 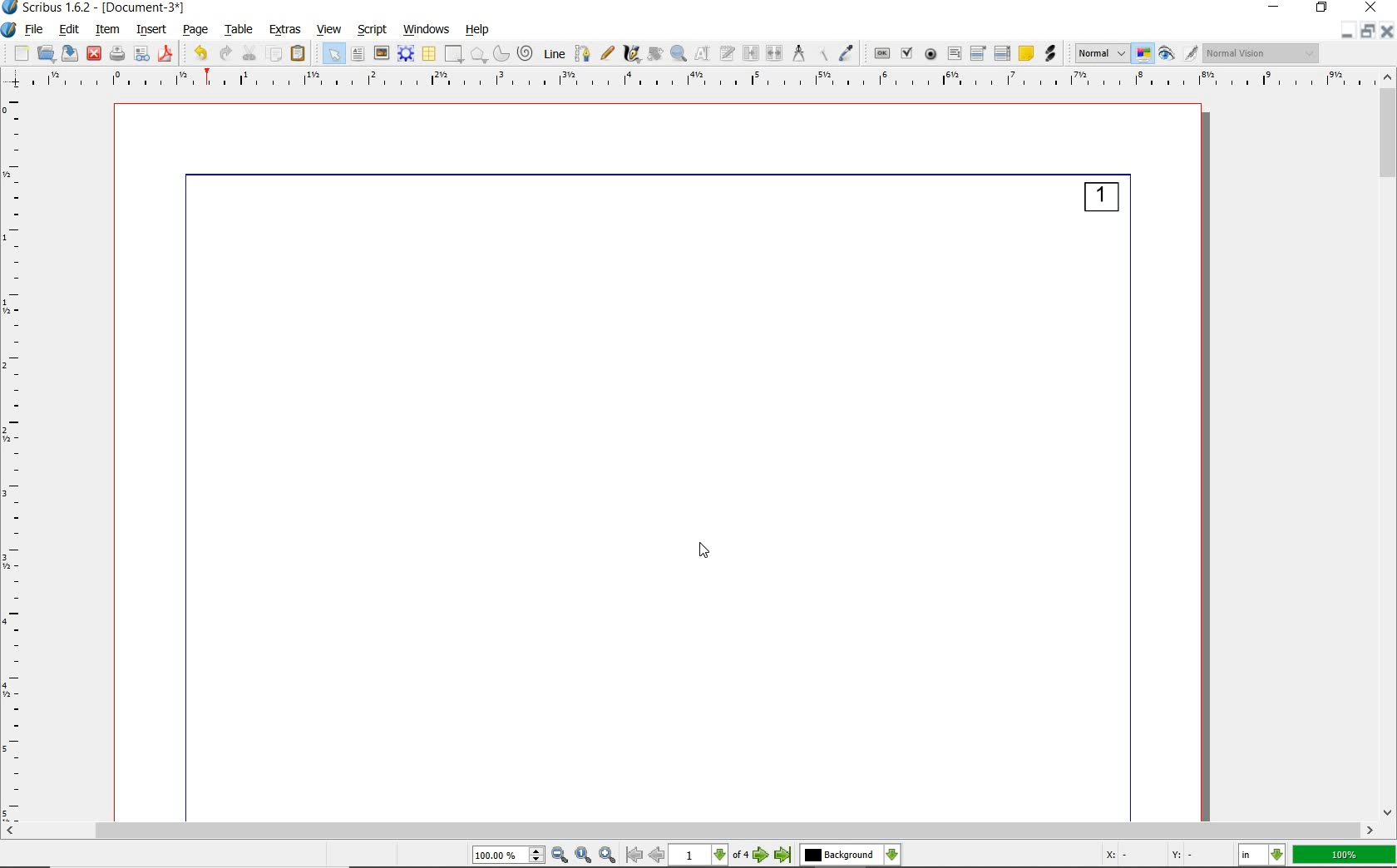 What do you see at coordinates (1321, 10) in the screenshot?
I see `restore` at bounding box center [1321, 10].